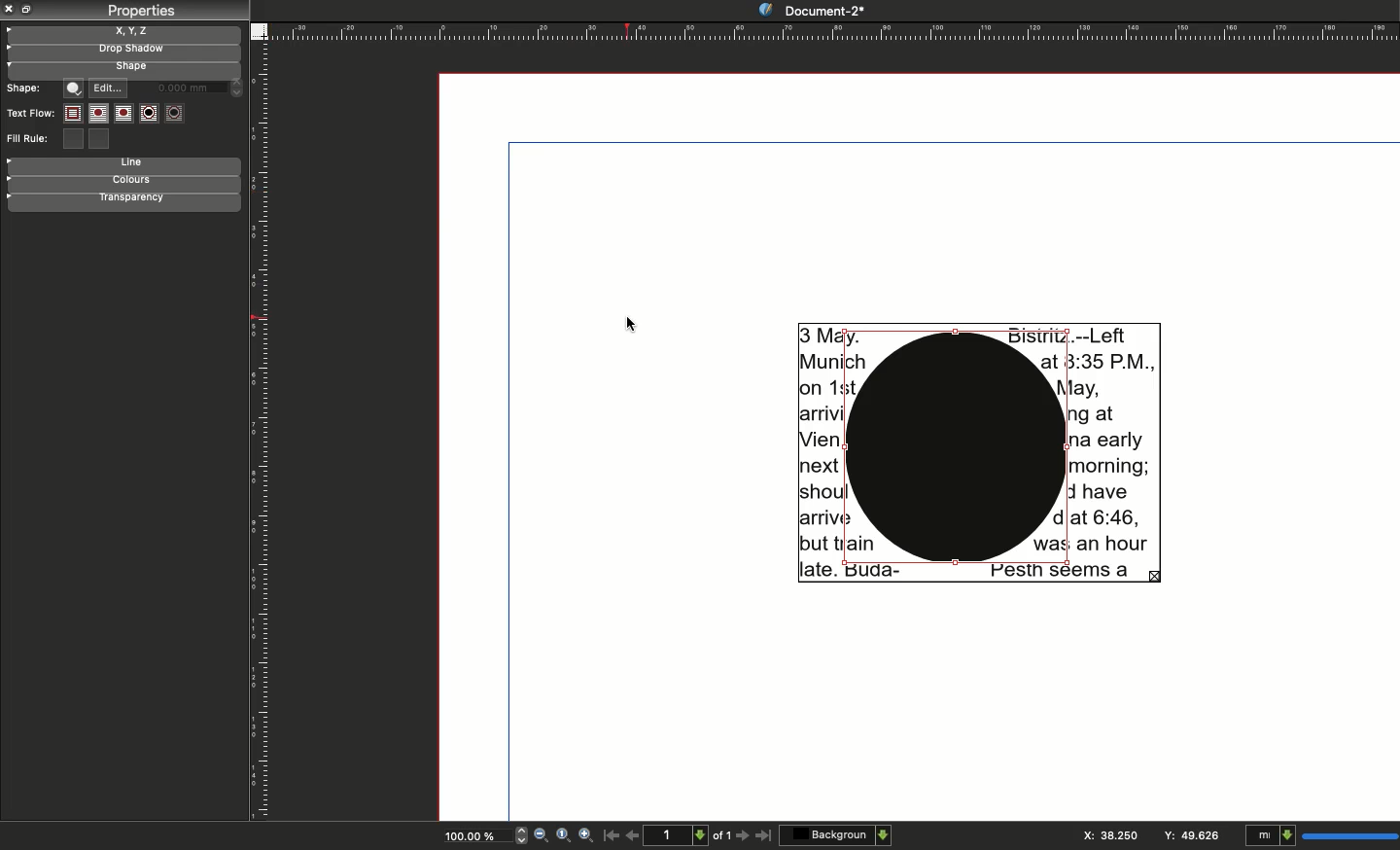 Image resolution: width=1400 pixels, height=850 pixels. Describe the element at coordinates (10, 9) in the screenshot. I see `Close` at that location.